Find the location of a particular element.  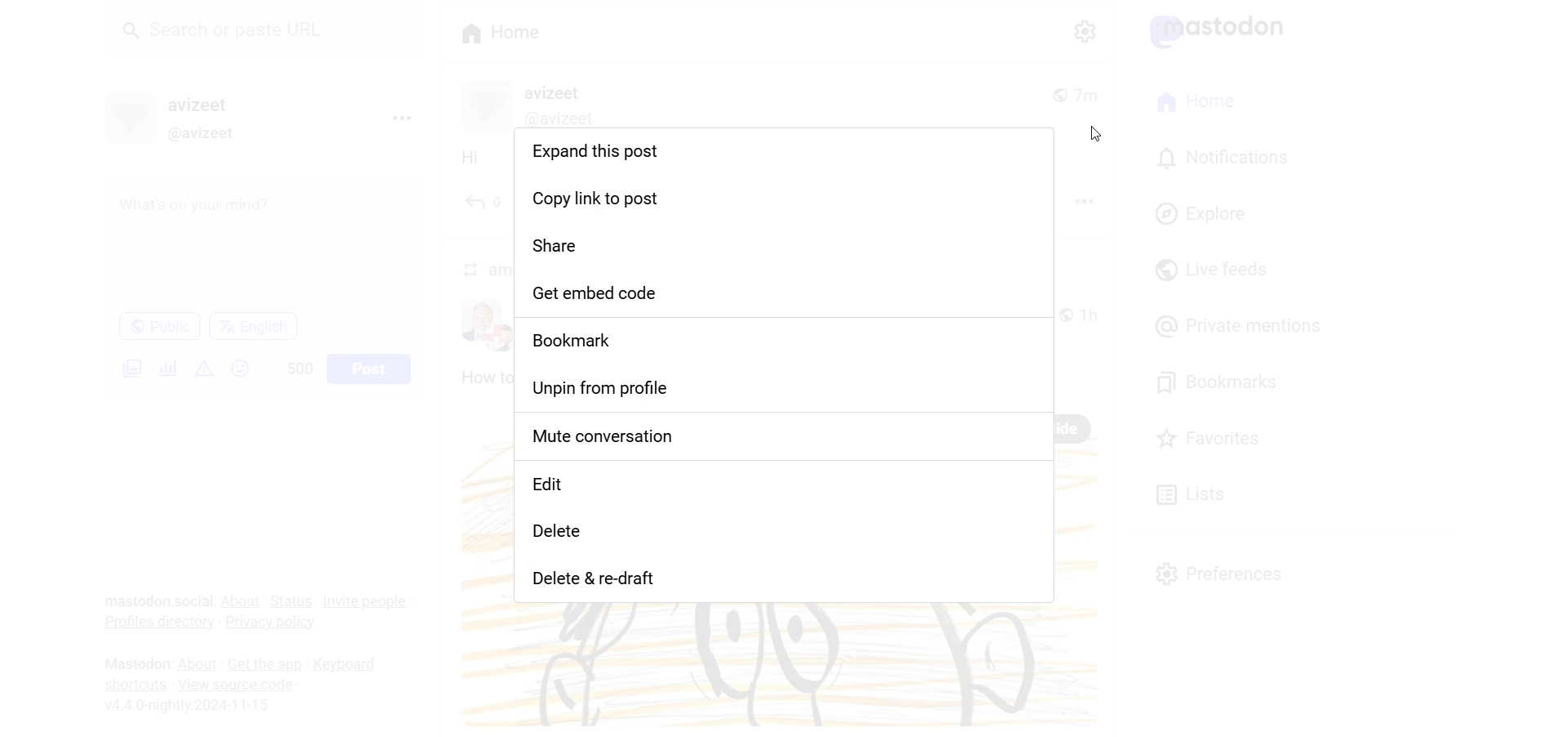

Ad Image is located at coordinates (129, 368).